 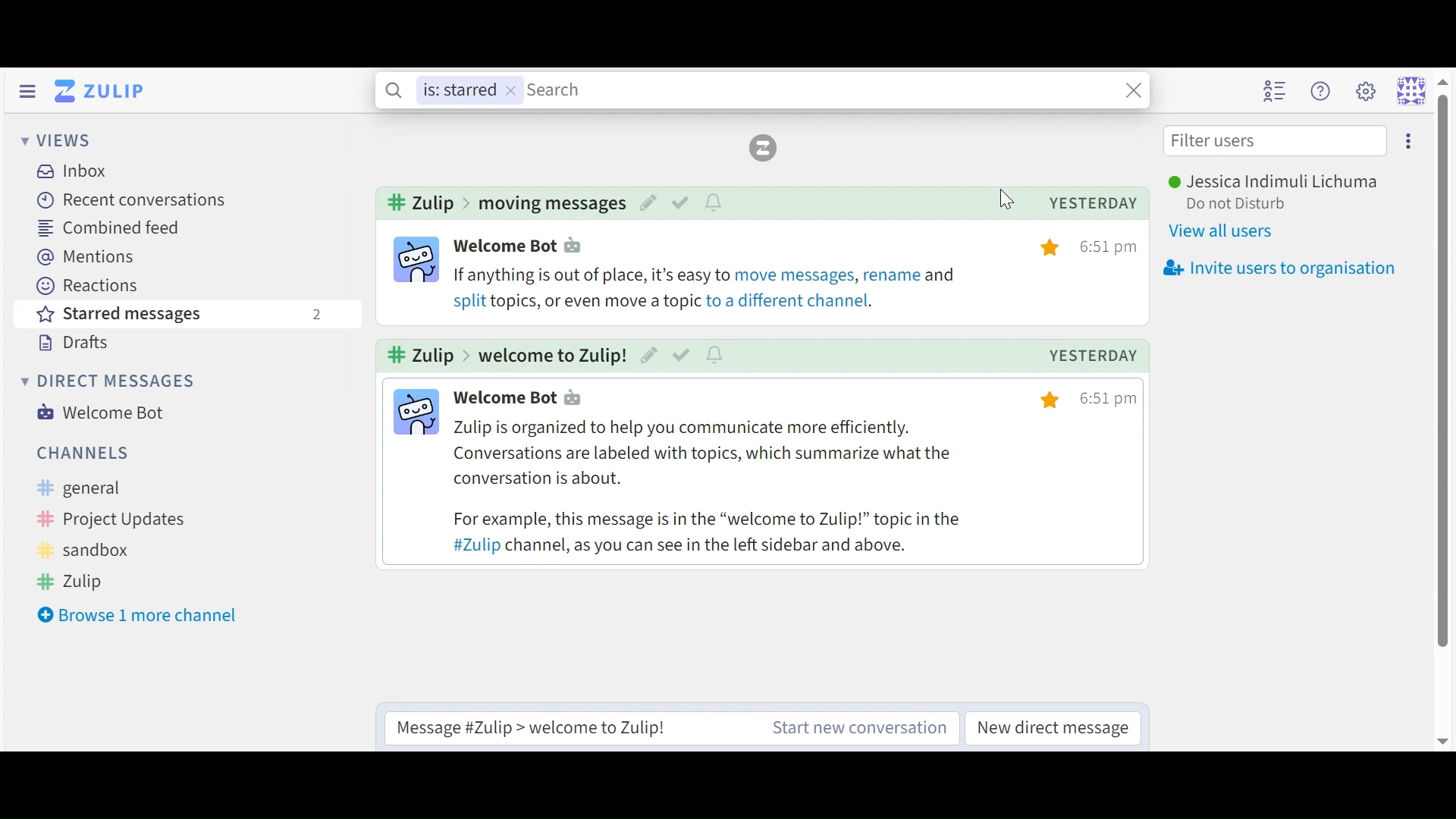 What do you see at coordinates (92, 579) in the screenshot?
I see `Zulip` at bounding box center [92, 579].